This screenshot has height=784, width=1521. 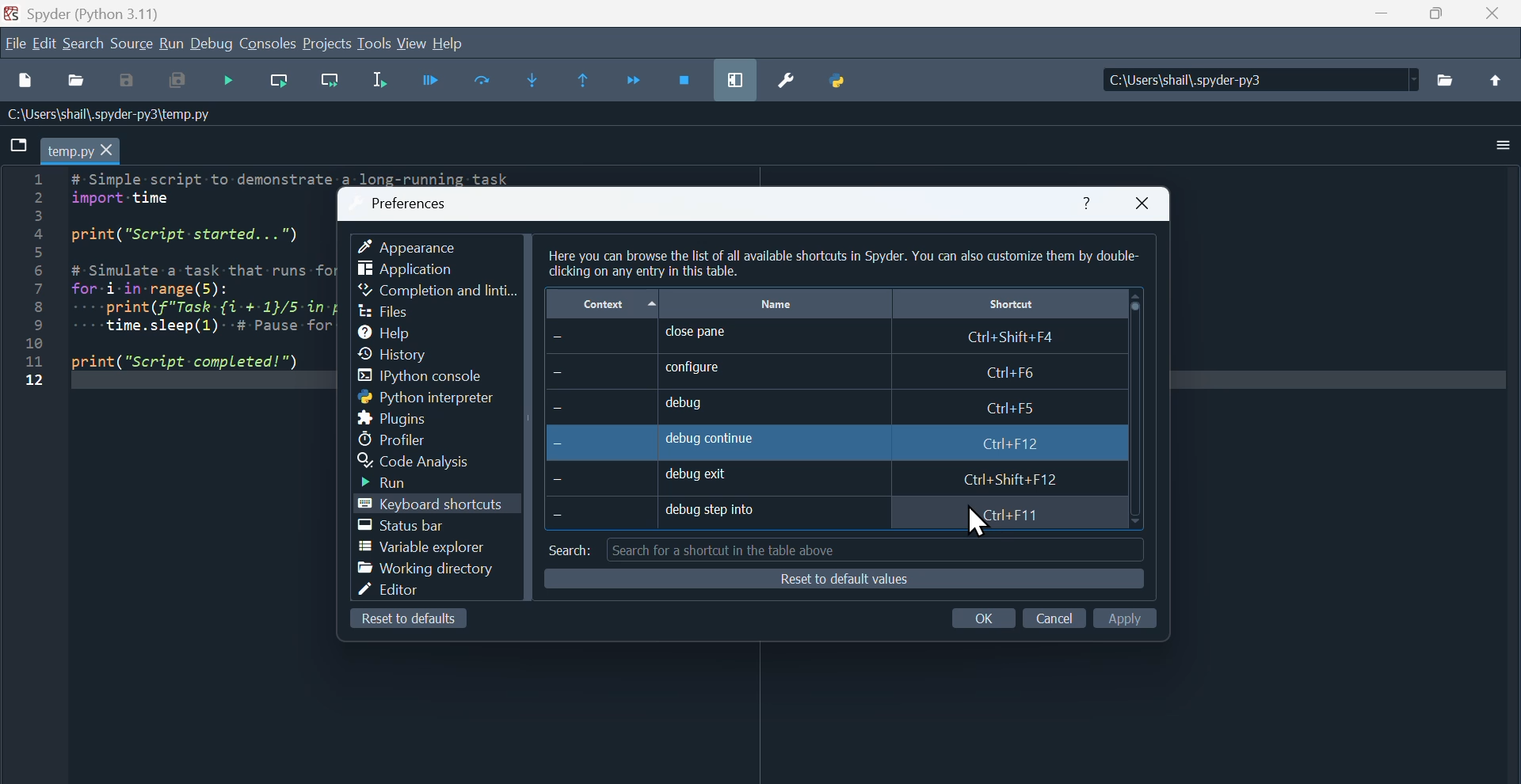 What do you see at coordinates (843, 550) in the screenshot?
I see `Search tab` at bounding box center [843, 550].